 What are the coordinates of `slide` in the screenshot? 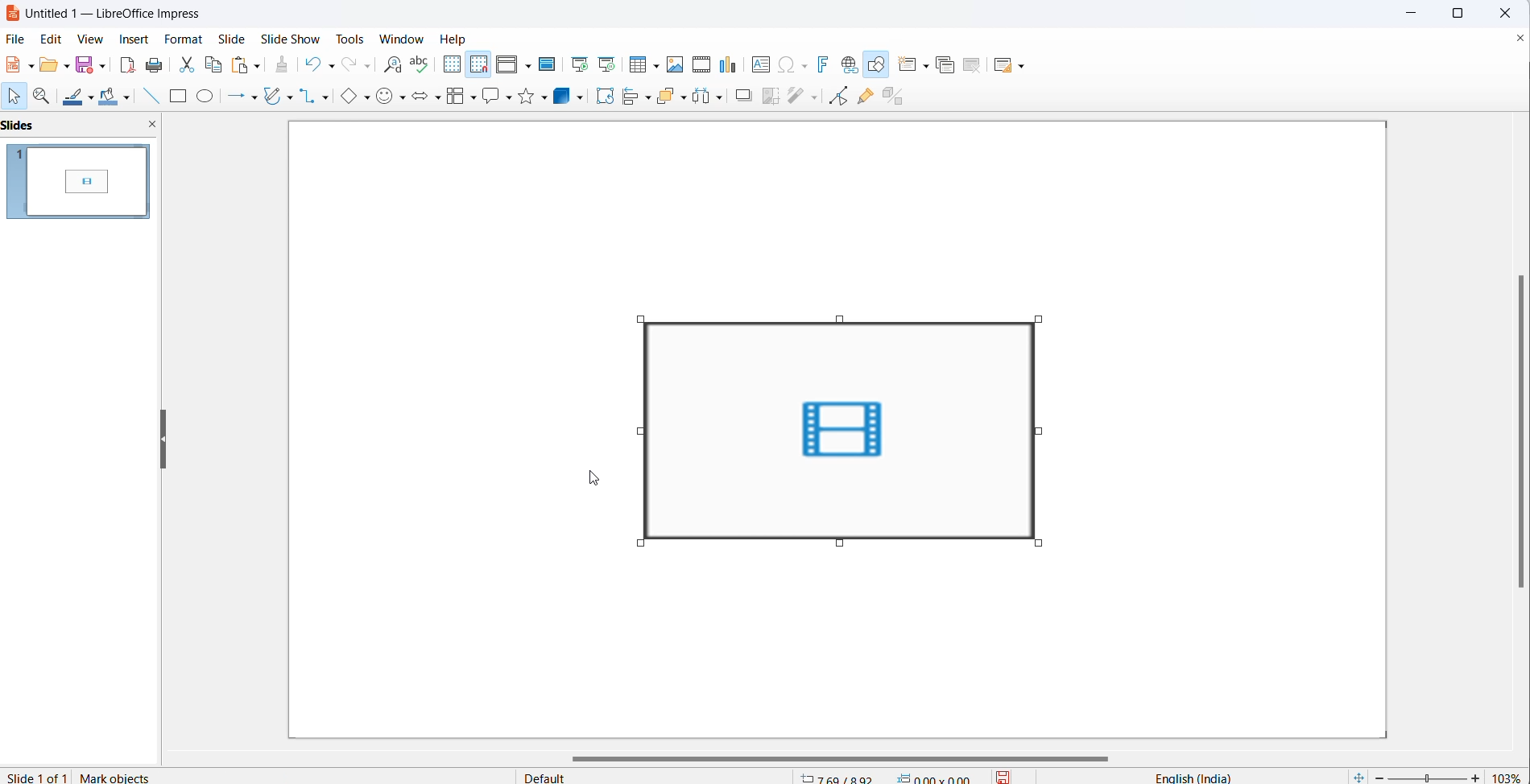 It's located at (237, 39).